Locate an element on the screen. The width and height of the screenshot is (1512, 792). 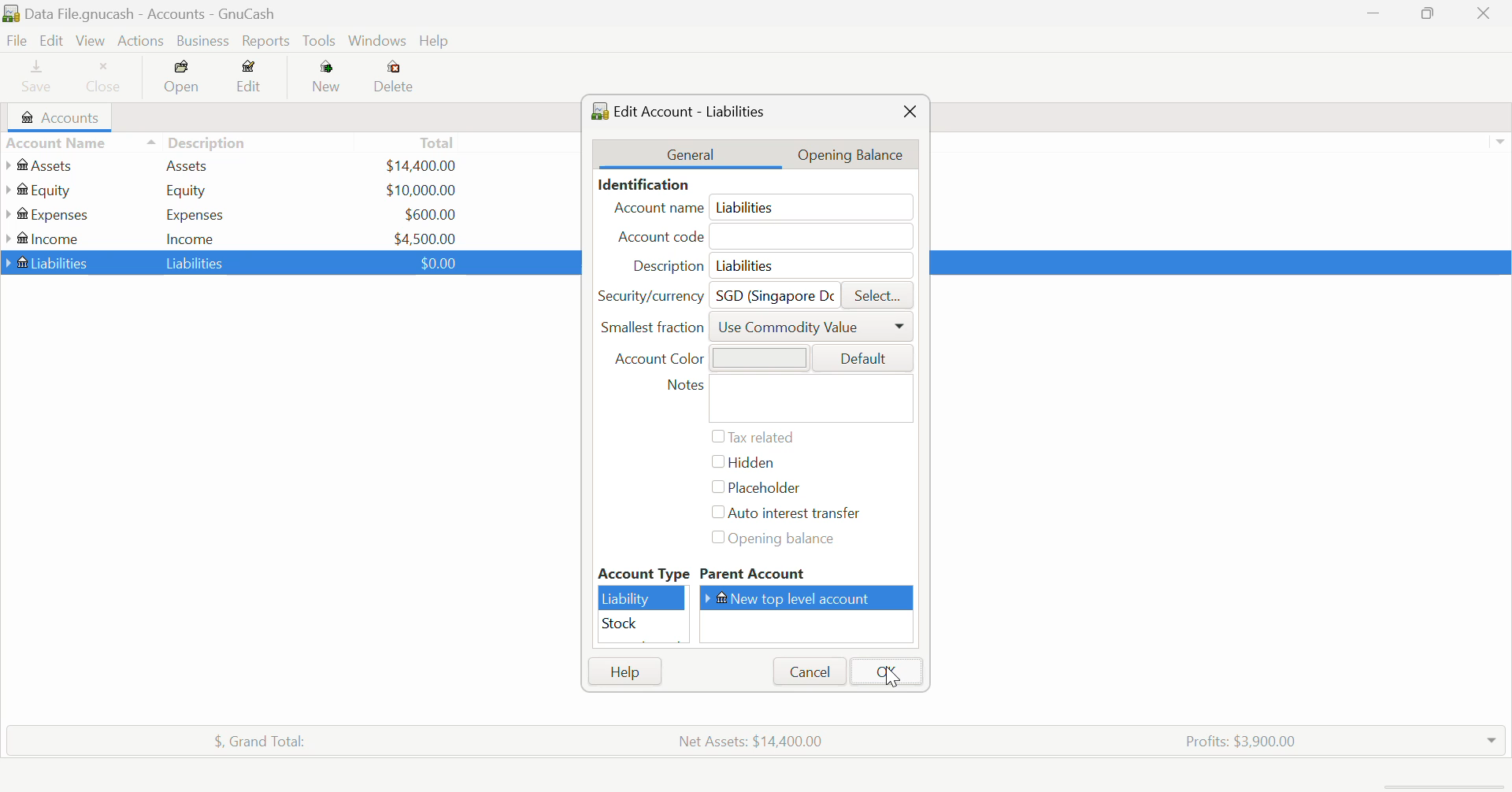
Close is located at coordinates (105, 79).